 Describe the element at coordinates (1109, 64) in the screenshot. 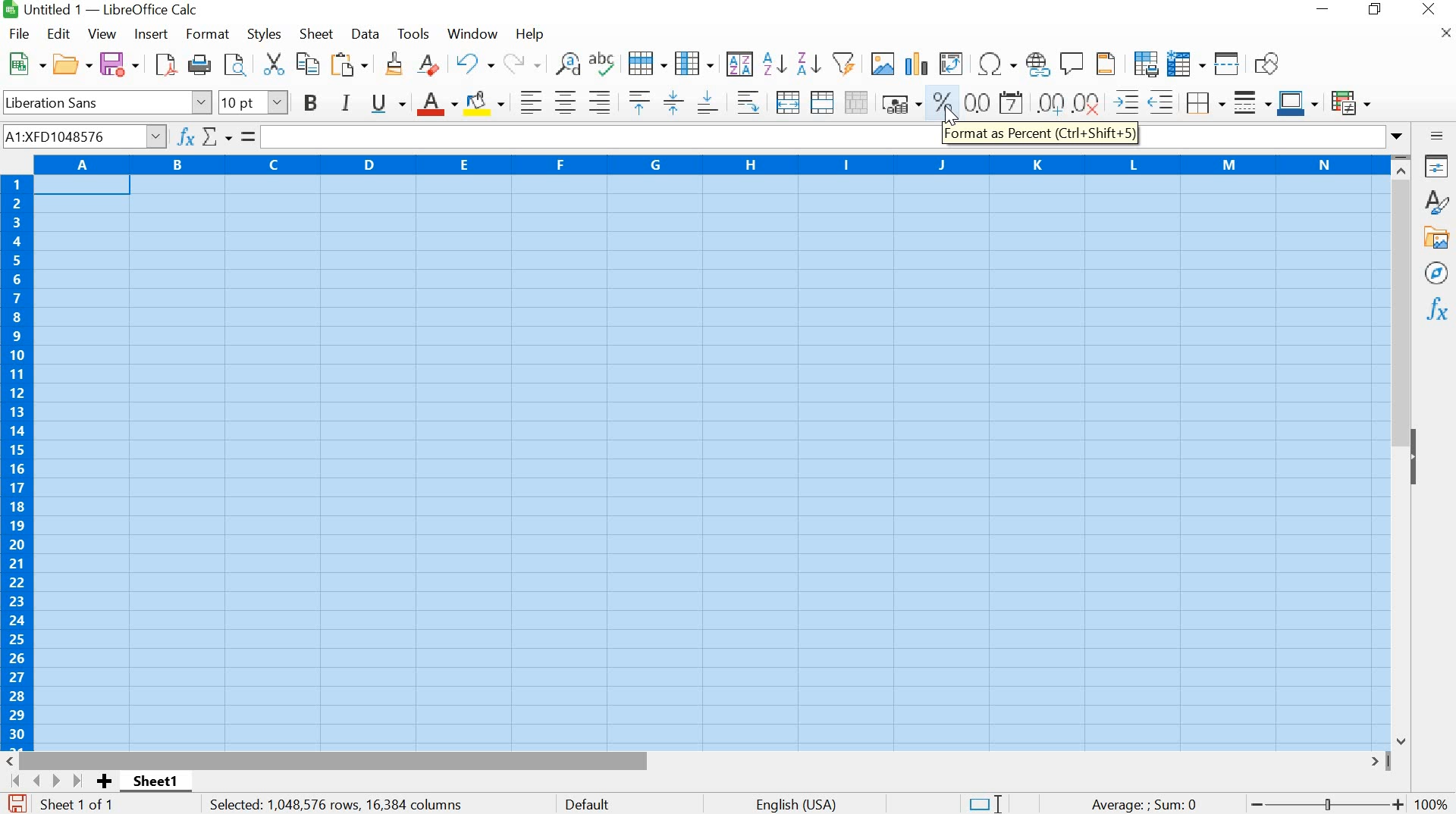

I see `Headers and Footers` at that location.